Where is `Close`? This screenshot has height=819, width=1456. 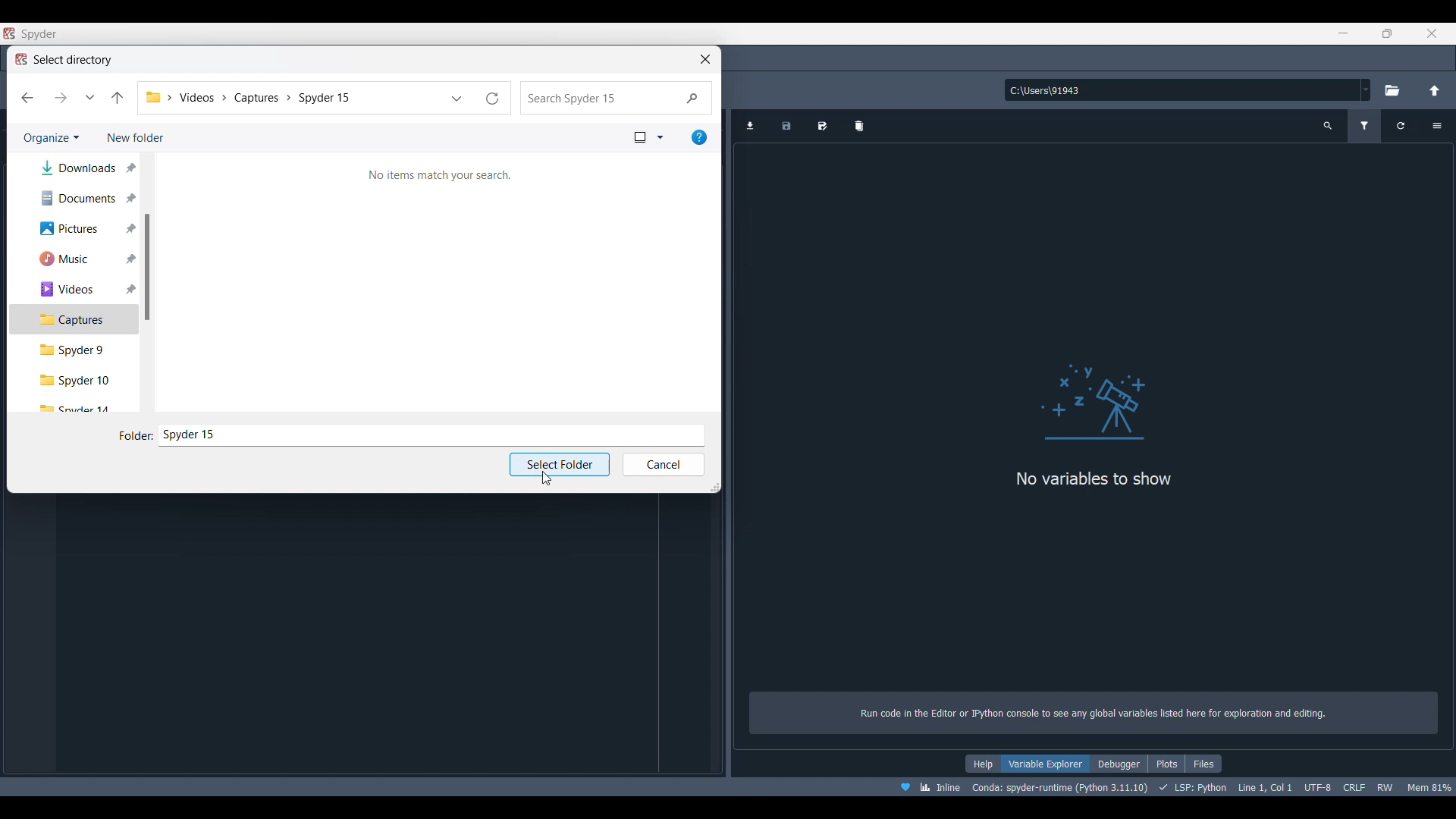 Close is located at coordinates (705, 59).